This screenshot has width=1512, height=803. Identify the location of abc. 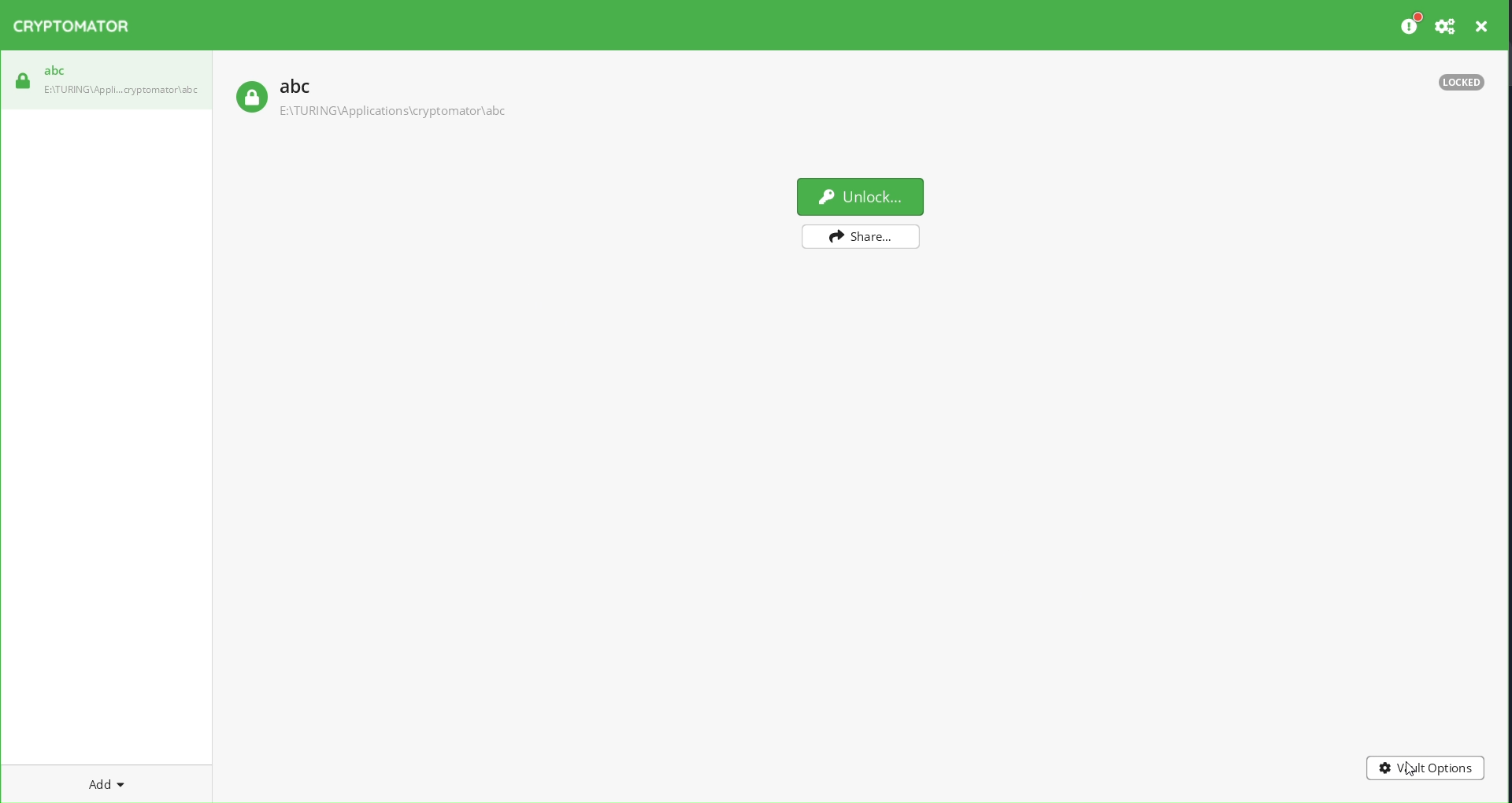
(295, 86).